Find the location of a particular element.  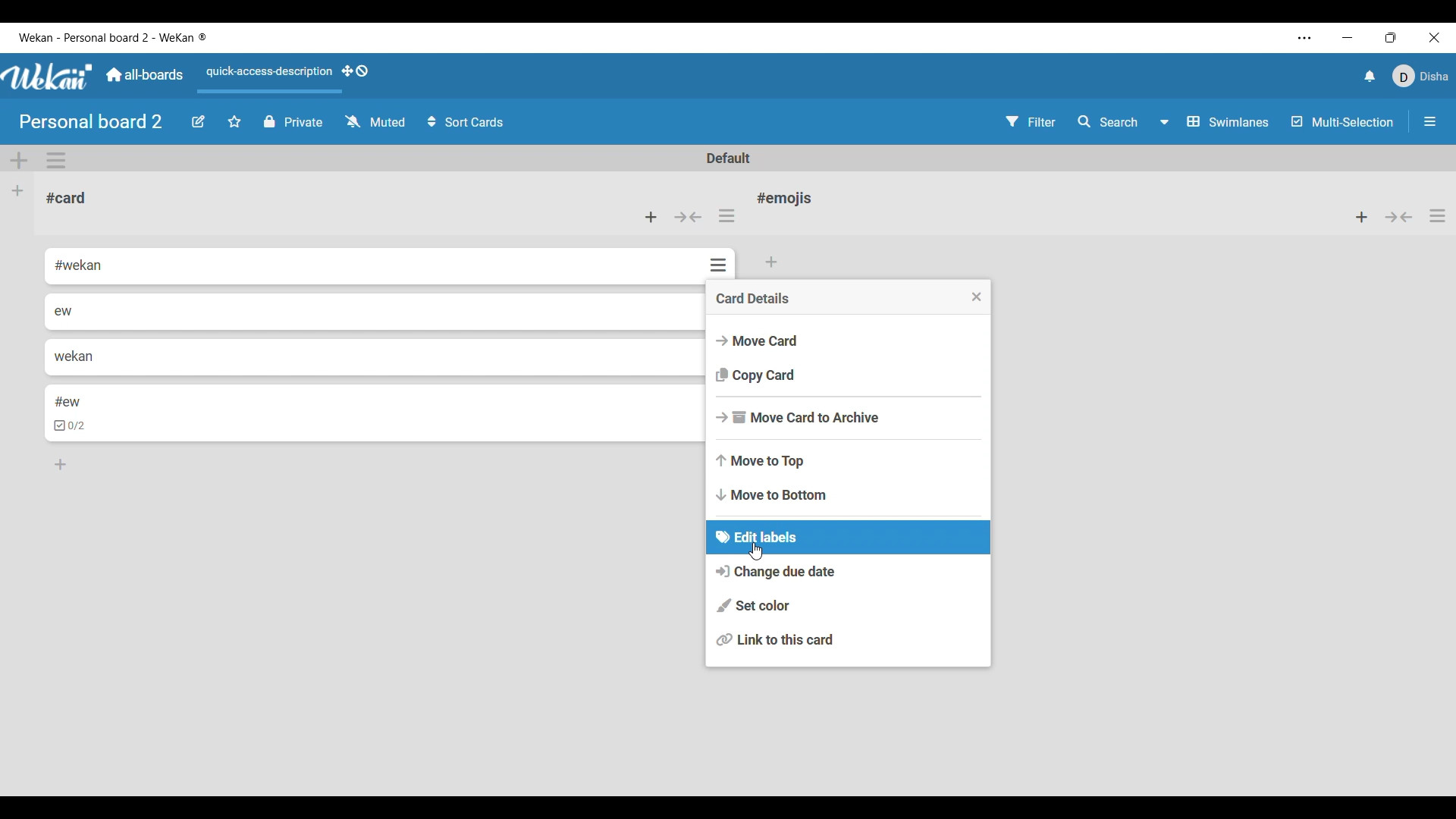

Default is located at coordinates (727, 158).